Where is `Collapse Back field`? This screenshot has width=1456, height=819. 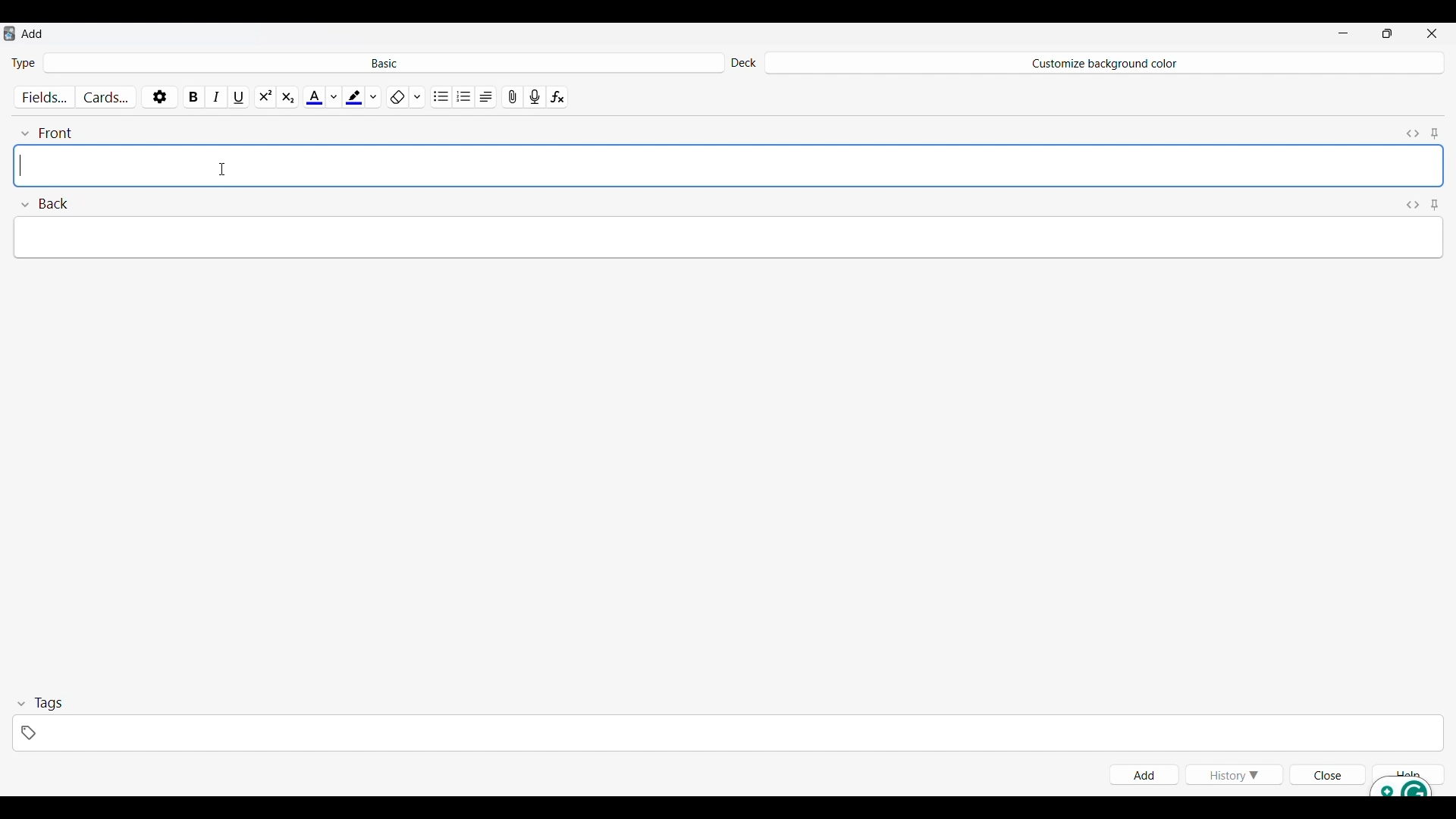 Collapse Back field is located at coordinates (45, 202).